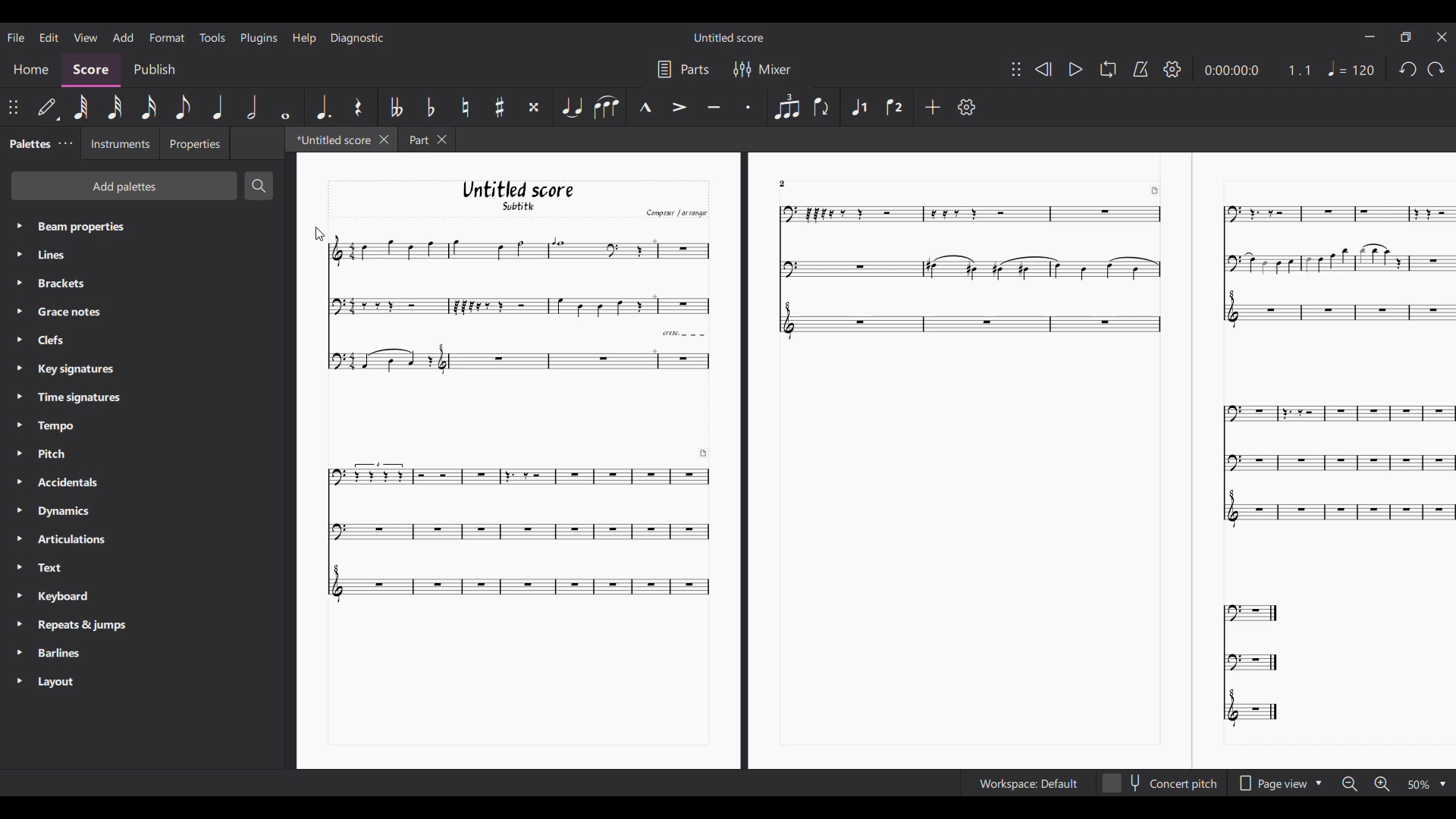  I want to click on Voice 1, so click(859, 105).